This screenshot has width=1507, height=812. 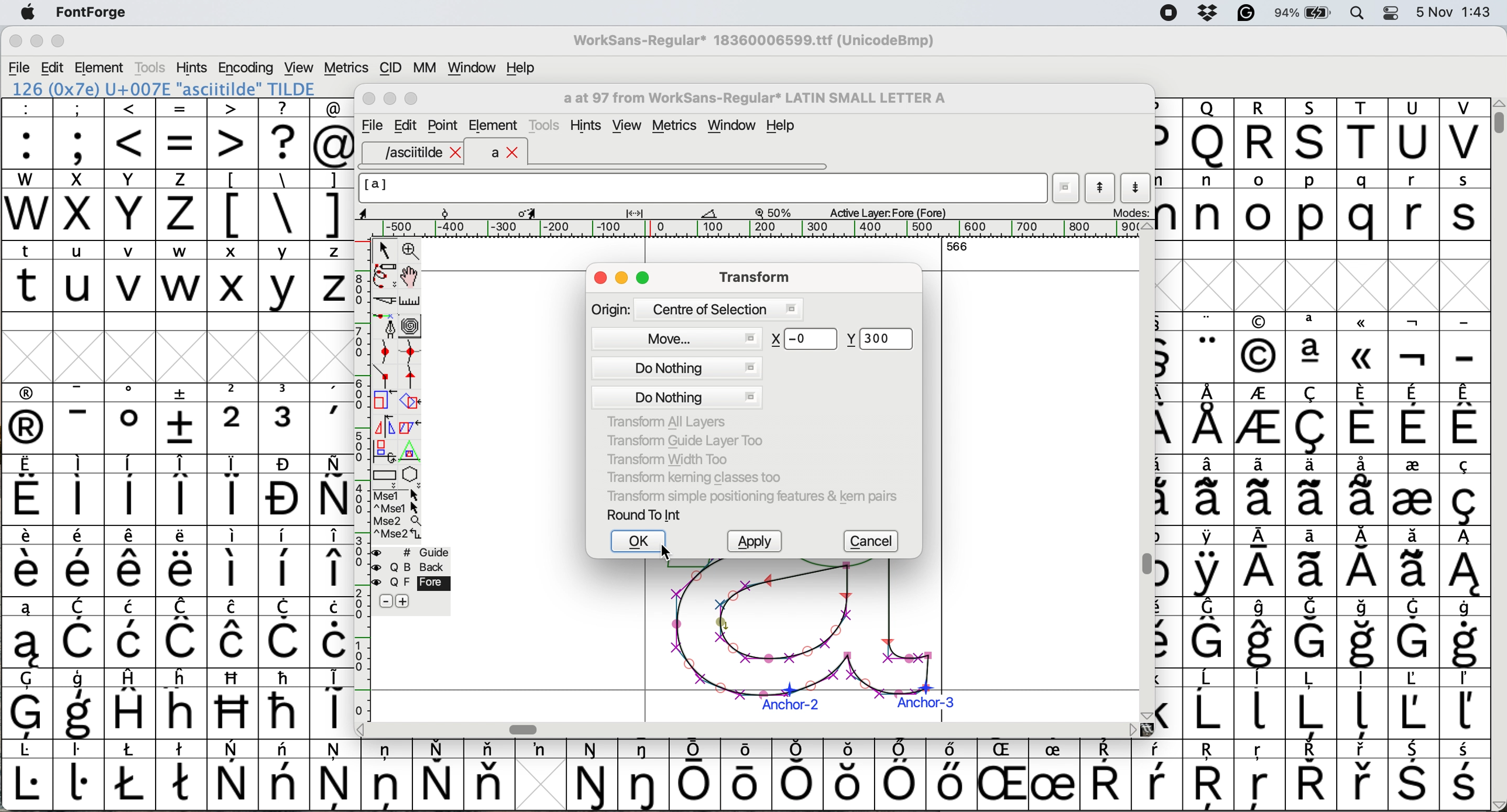 I want to click on symbol, so click(x=332, y=701).